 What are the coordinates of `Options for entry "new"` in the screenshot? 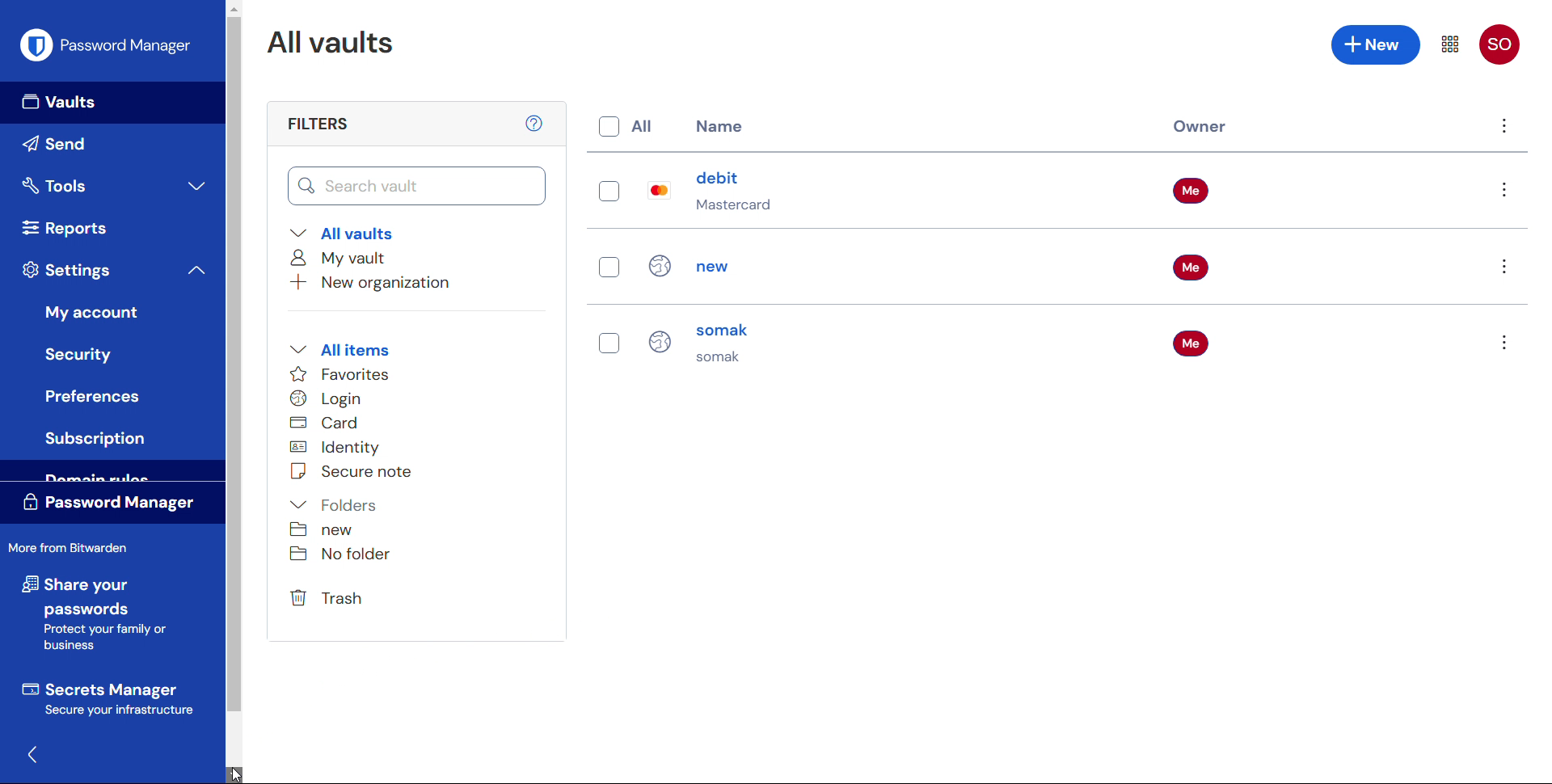 It's located at (1503, 266).